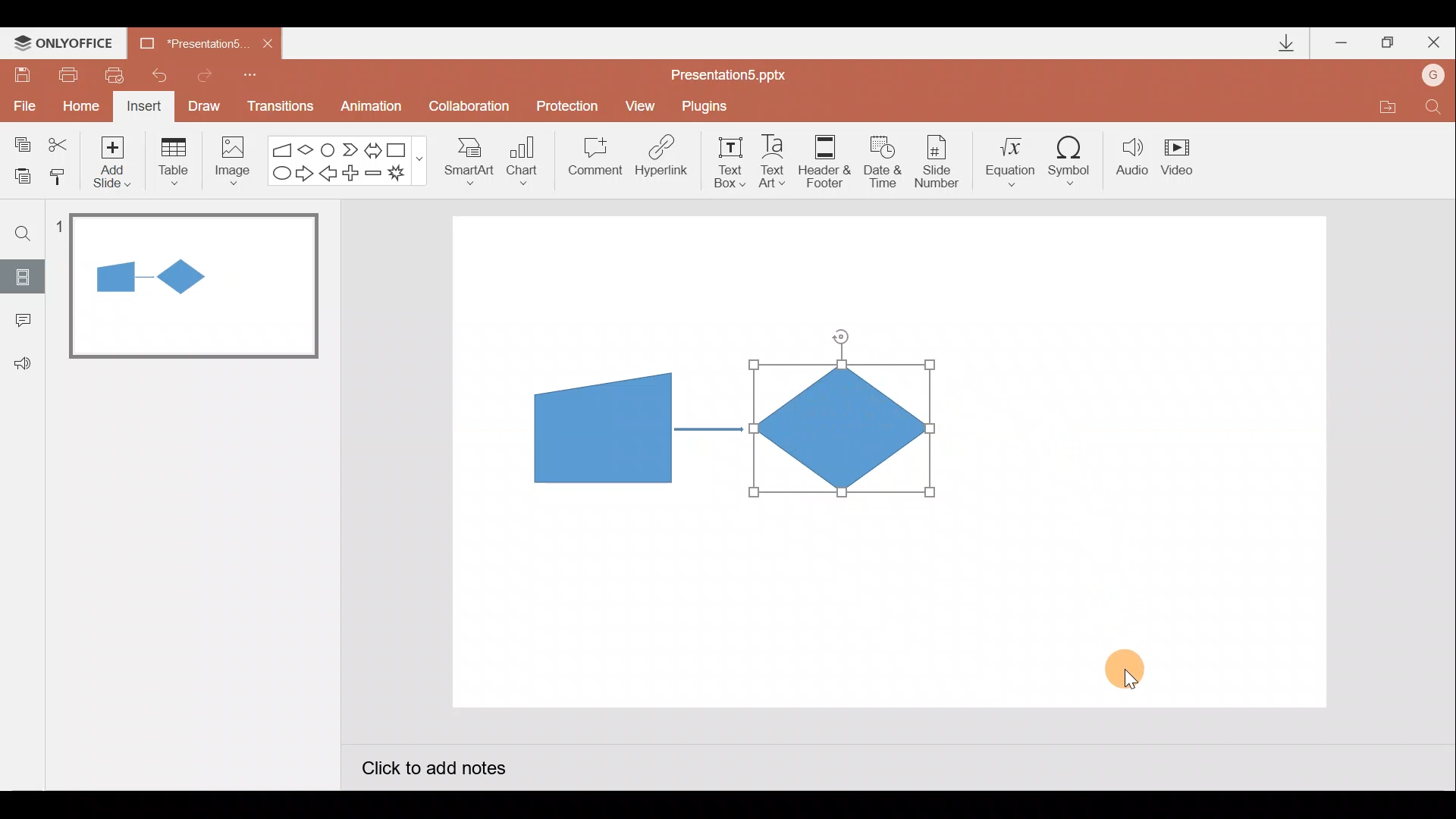 Image resolution: width=1456 pixels, height=819 pixels. What do you see at coordinates (1133, 160) in the screenshot?
I see `Audio` at bounding box center [1133, 160].